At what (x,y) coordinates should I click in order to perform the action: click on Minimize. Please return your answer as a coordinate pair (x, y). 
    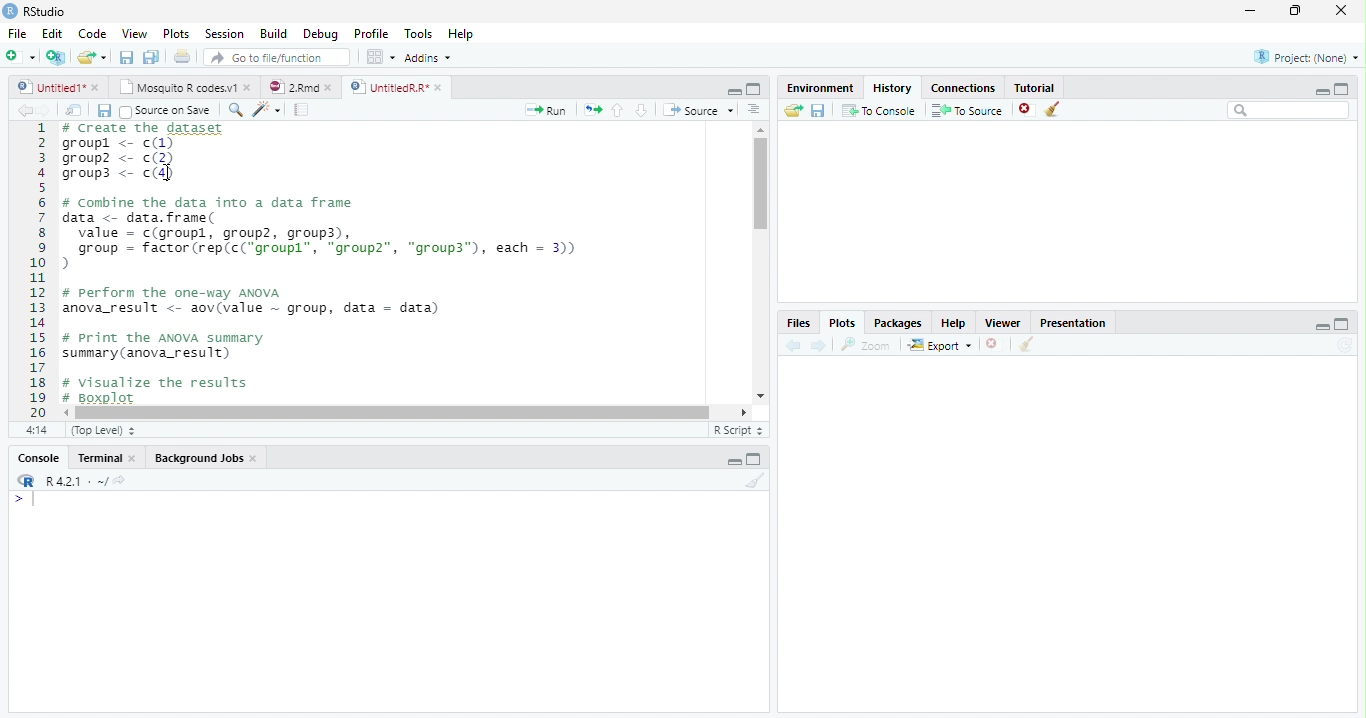
    Looking at the image, I should click on (1251, 12).